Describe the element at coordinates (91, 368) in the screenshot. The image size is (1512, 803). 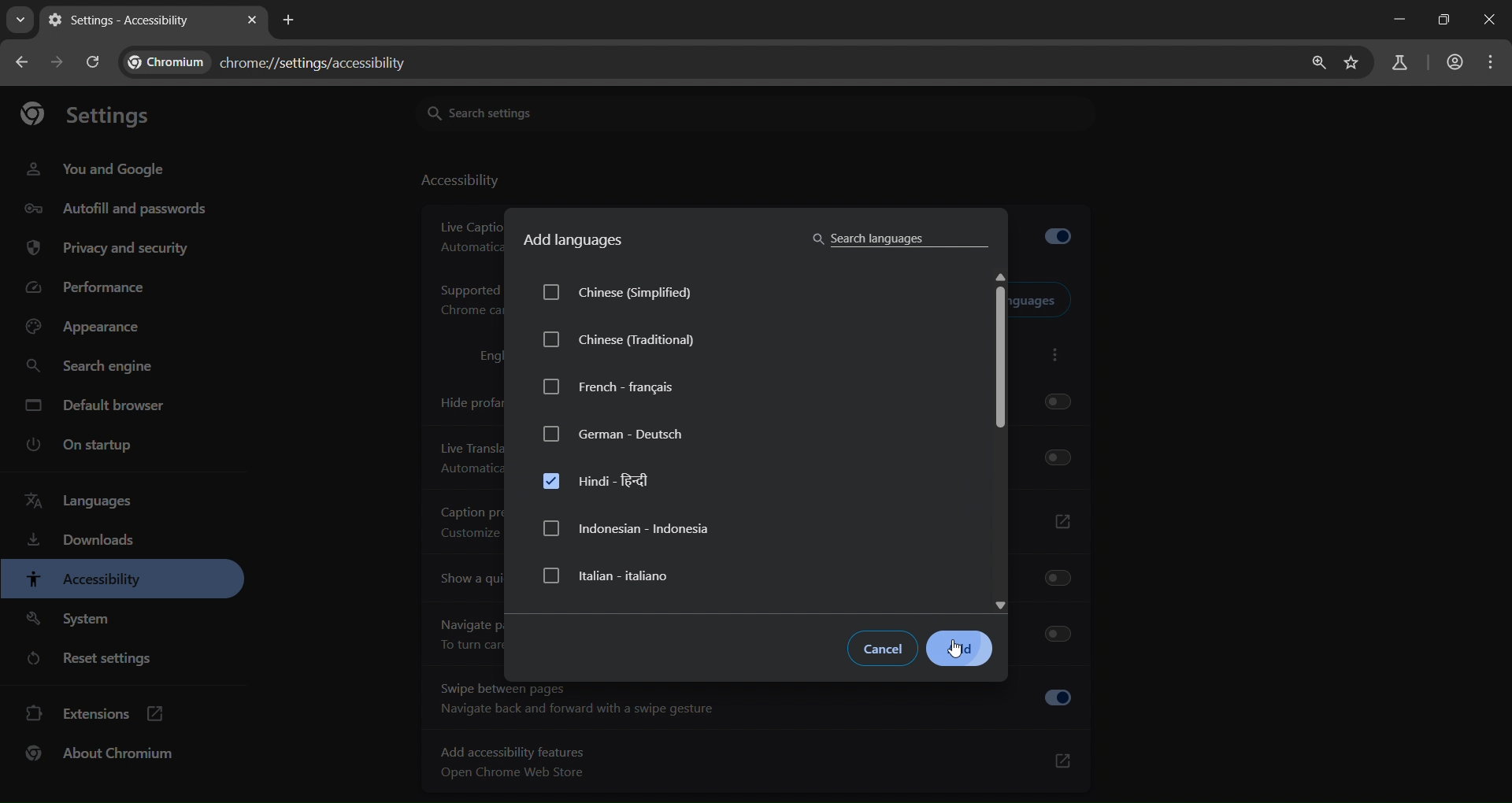
I see `search engine` at that location.